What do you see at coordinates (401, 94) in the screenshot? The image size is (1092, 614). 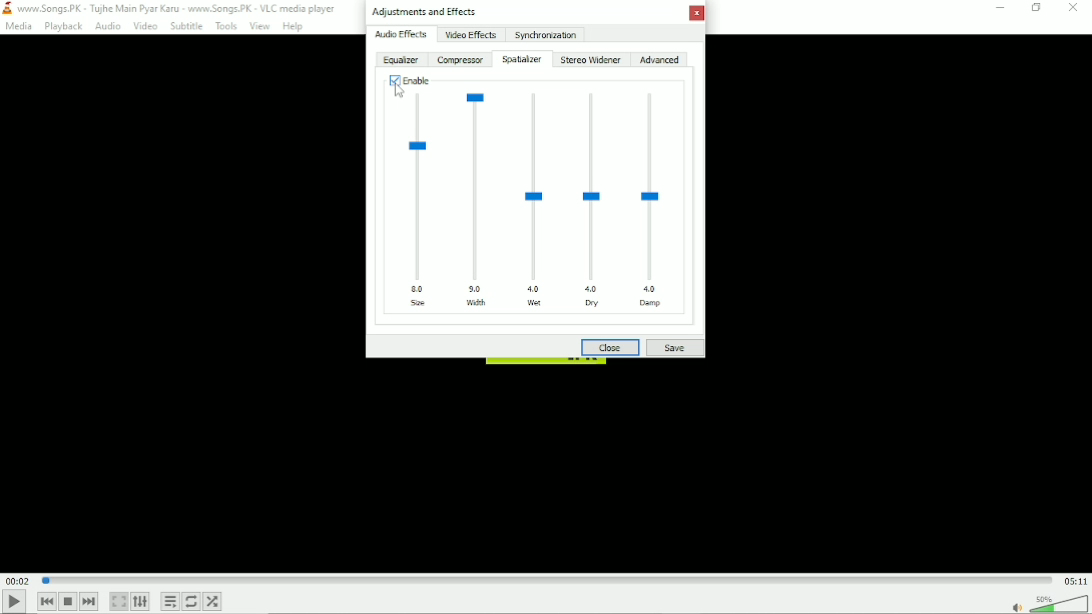 I see `Cursor` at bounding box center [401, 94].